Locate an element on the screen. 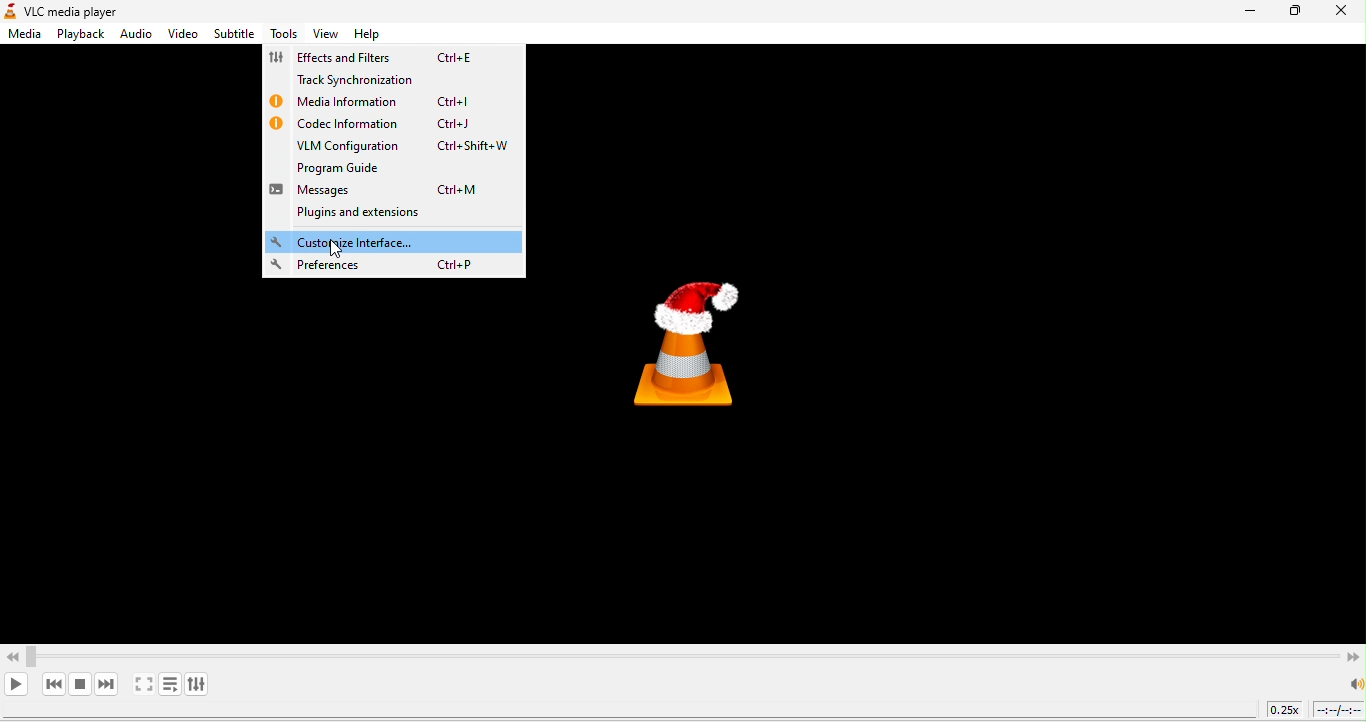 This screenshot has height=722, width=1366. playback is located at coordinates (77, 34).